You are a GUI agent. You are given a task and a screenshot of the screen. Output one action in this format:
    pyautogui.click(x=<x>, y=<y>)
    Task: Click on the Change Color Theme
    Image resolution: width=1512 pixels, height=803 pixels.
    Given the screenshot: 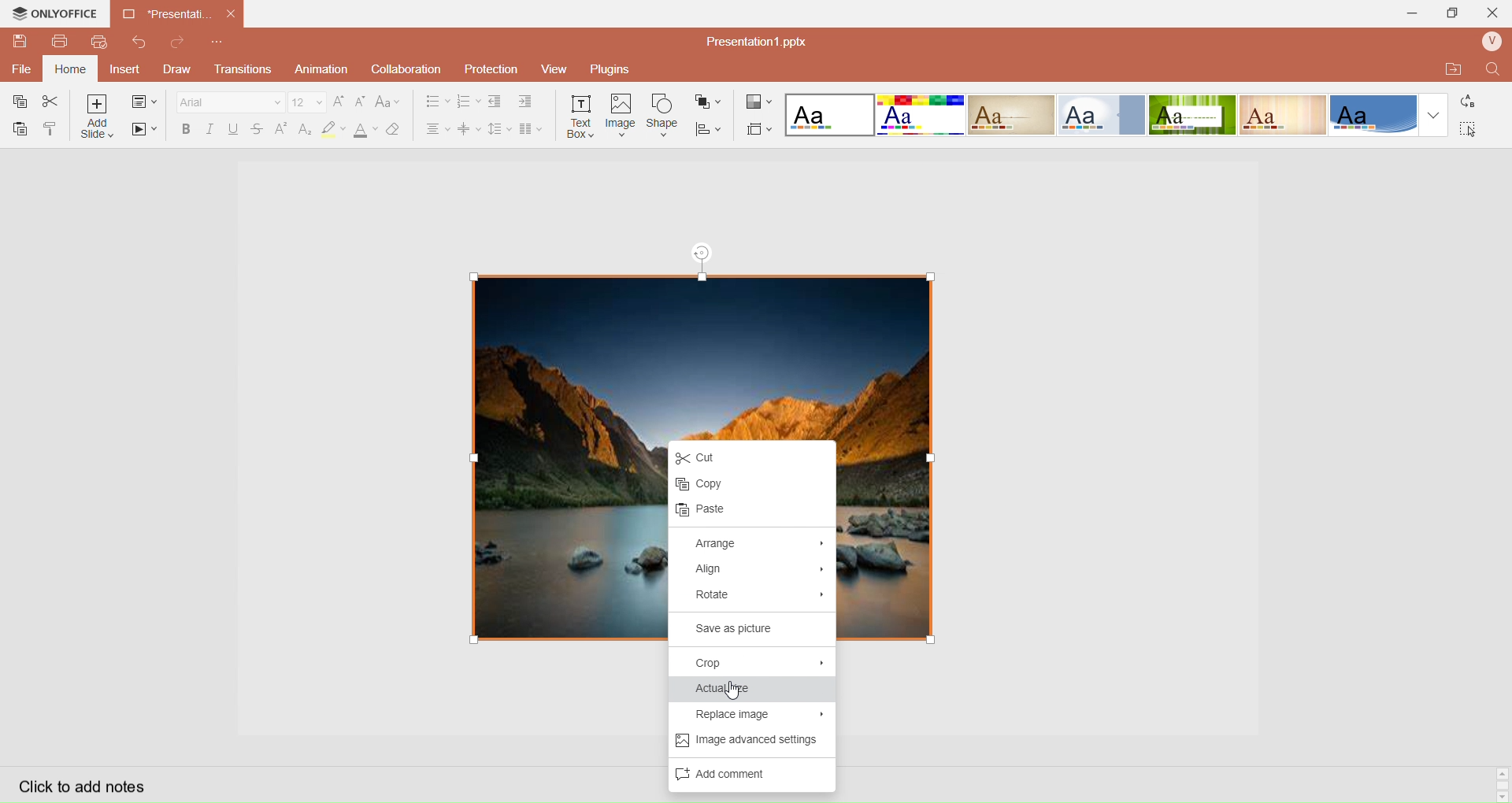 What is the action you would take?
    pyautogui.click(x=758, y=100)
    